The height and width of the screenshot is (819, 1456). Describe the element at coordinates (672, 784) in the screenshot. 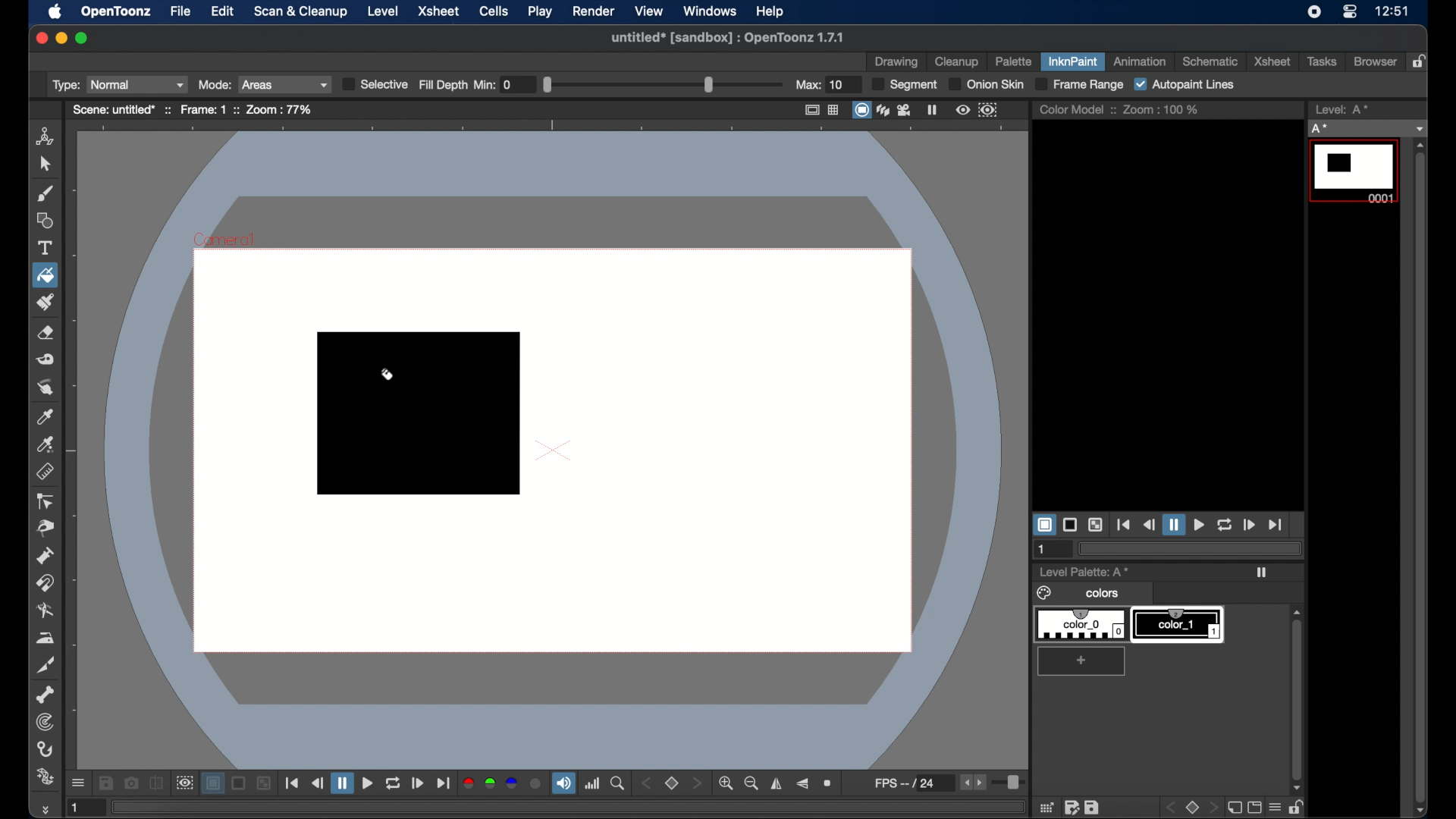

I see `set view` at that location.